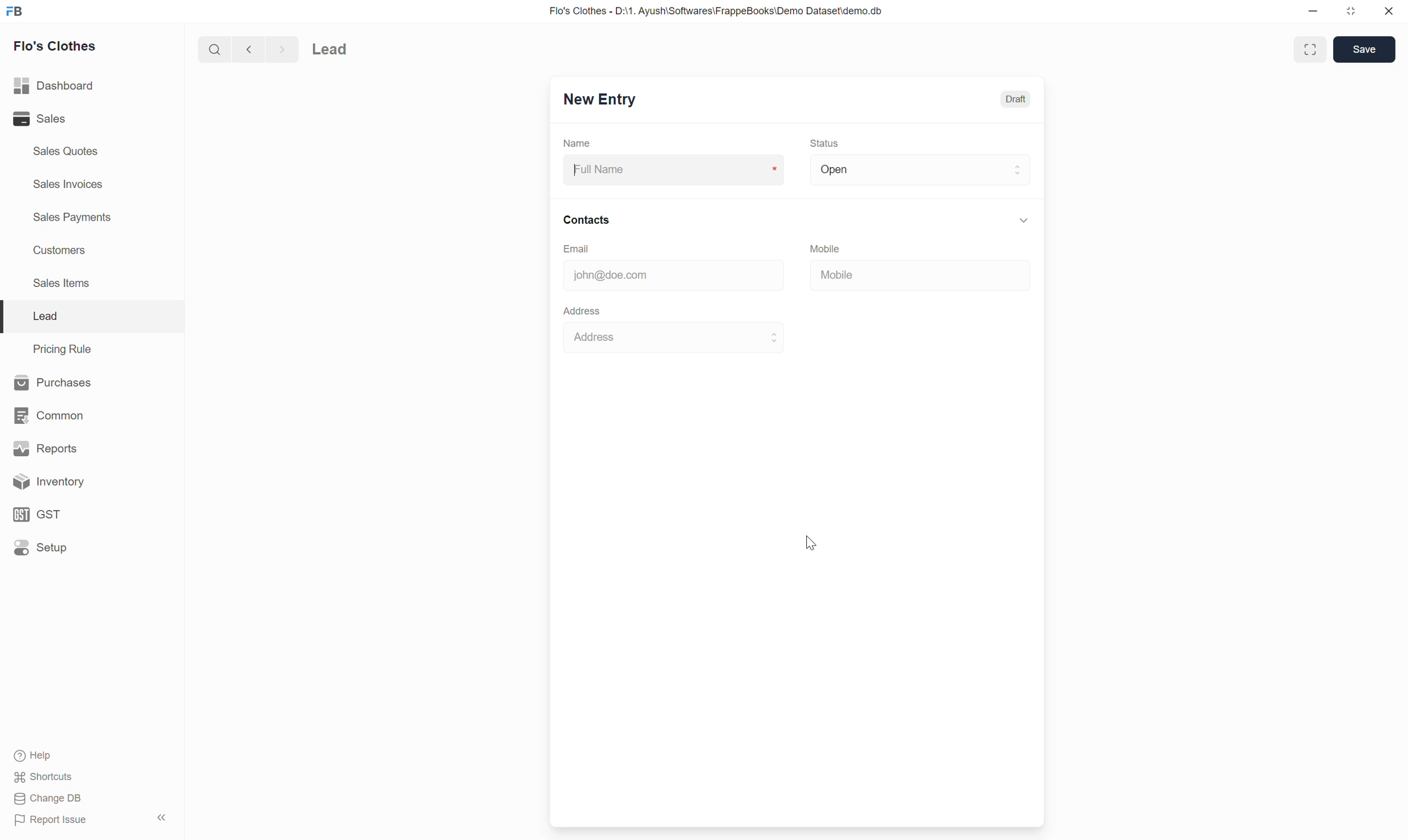  I want to click on FORWARD, so click(284, 49).